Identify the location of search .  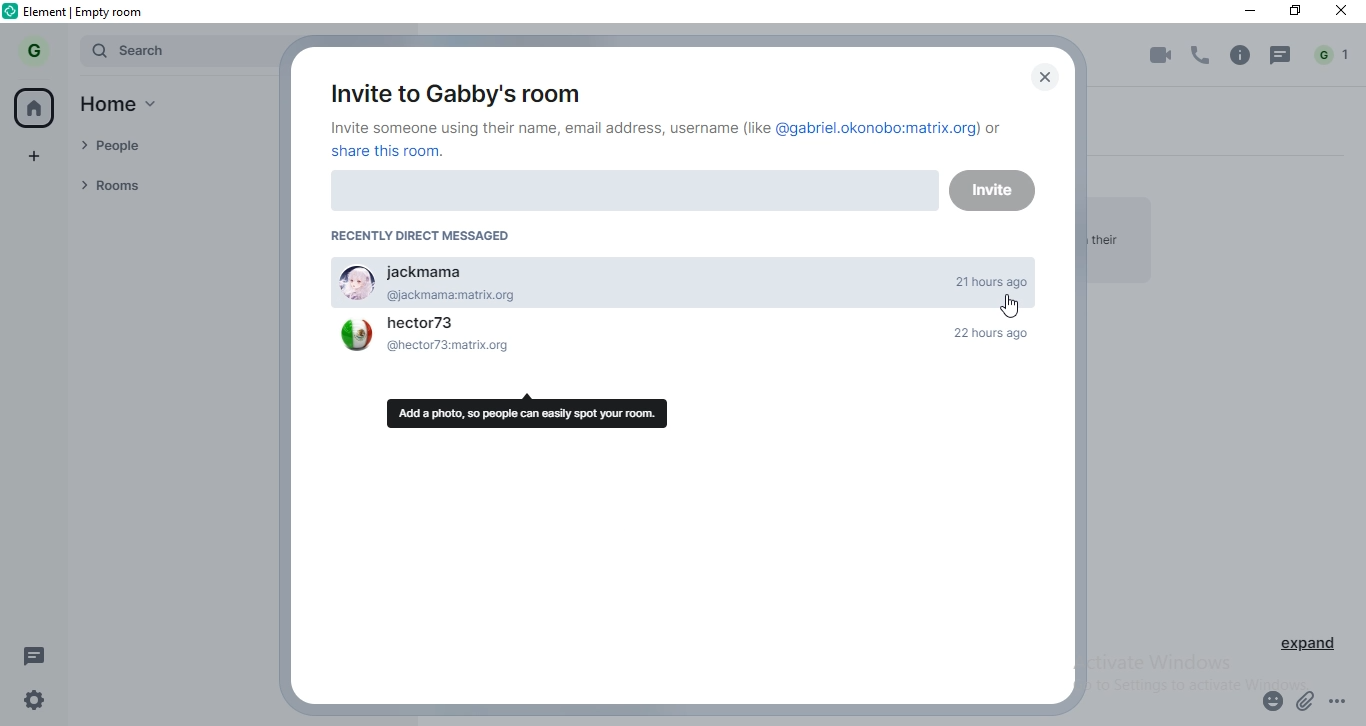
(174, 51).